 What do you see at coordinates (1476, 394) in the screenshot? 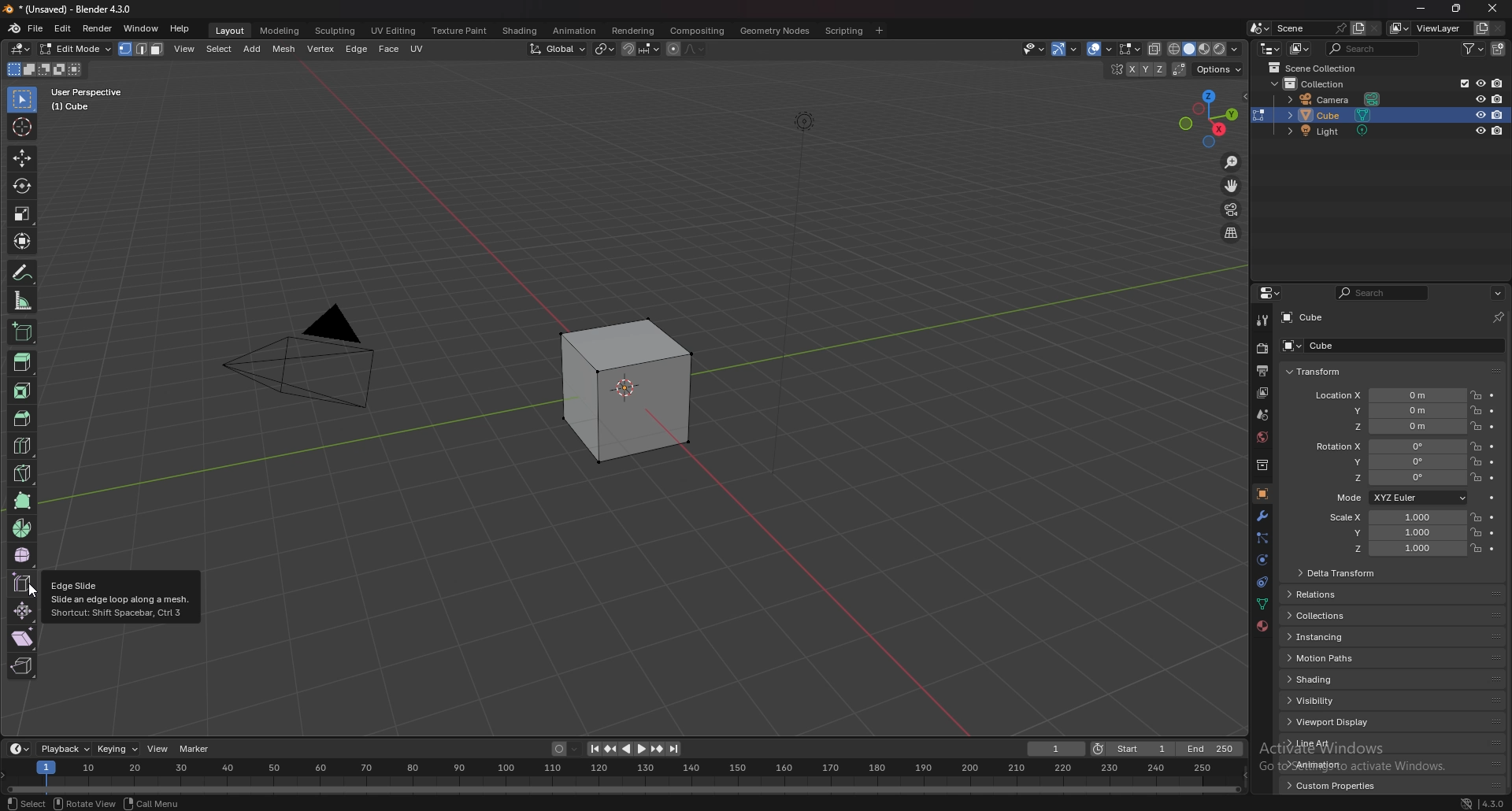
I see `lock` at bounding box center [1476, 394].